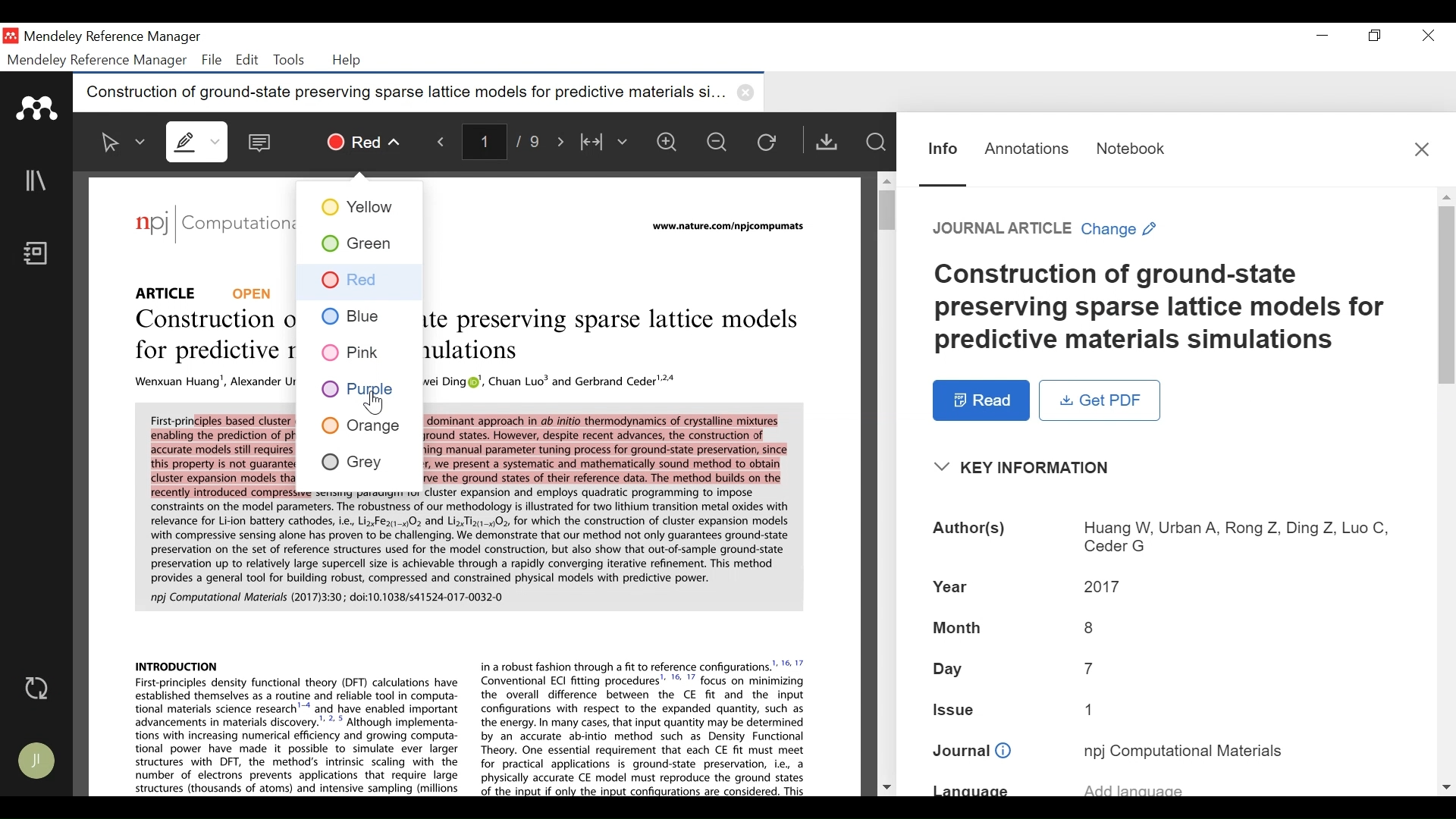 The height and width of the screenshot is (819, 1456). What do you see at coordinates (465, 557) in the screenshot?
I see `Abstract` at bounding box center [465, 557].